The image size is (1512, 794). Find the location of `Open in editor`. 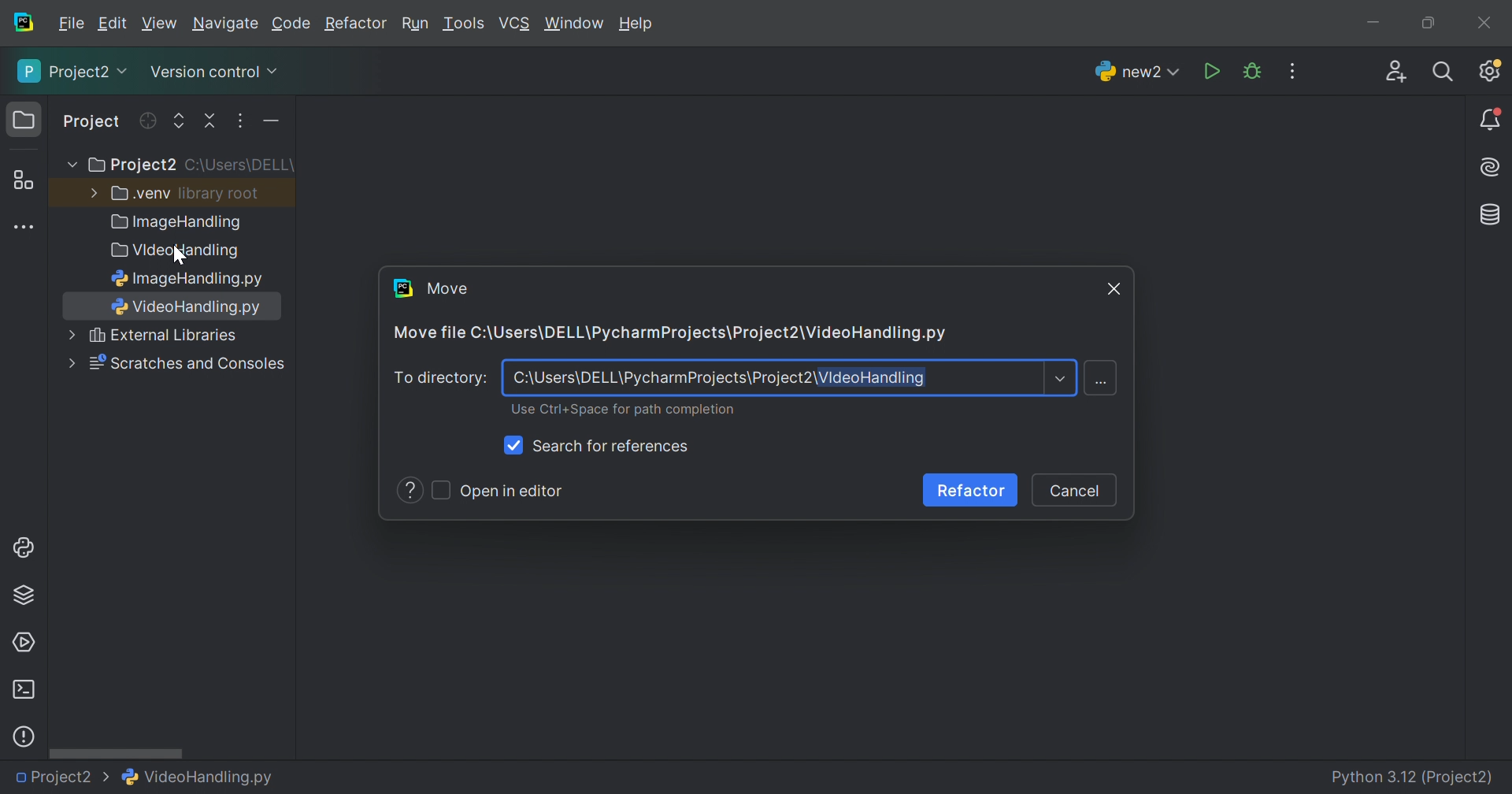

Open in editor is located at coordinates (511, 493).